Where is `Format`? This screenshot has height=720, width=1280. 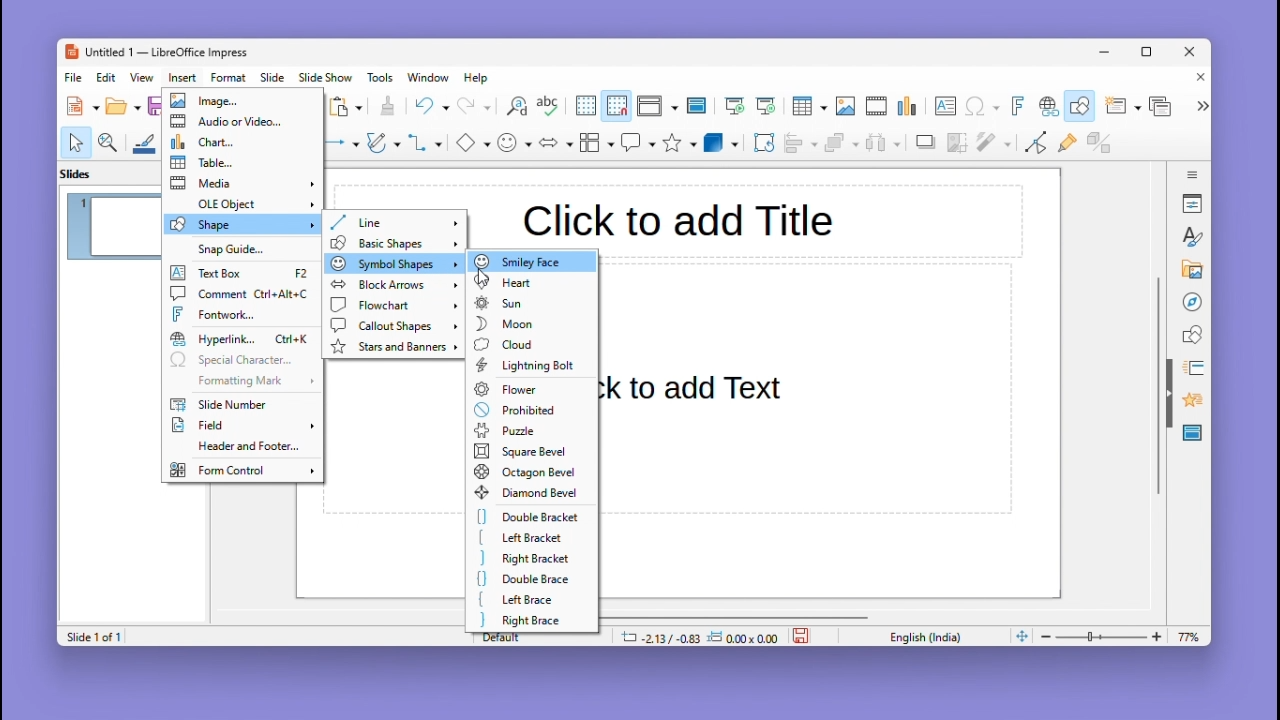 Format is located at coordinates (229, 77).